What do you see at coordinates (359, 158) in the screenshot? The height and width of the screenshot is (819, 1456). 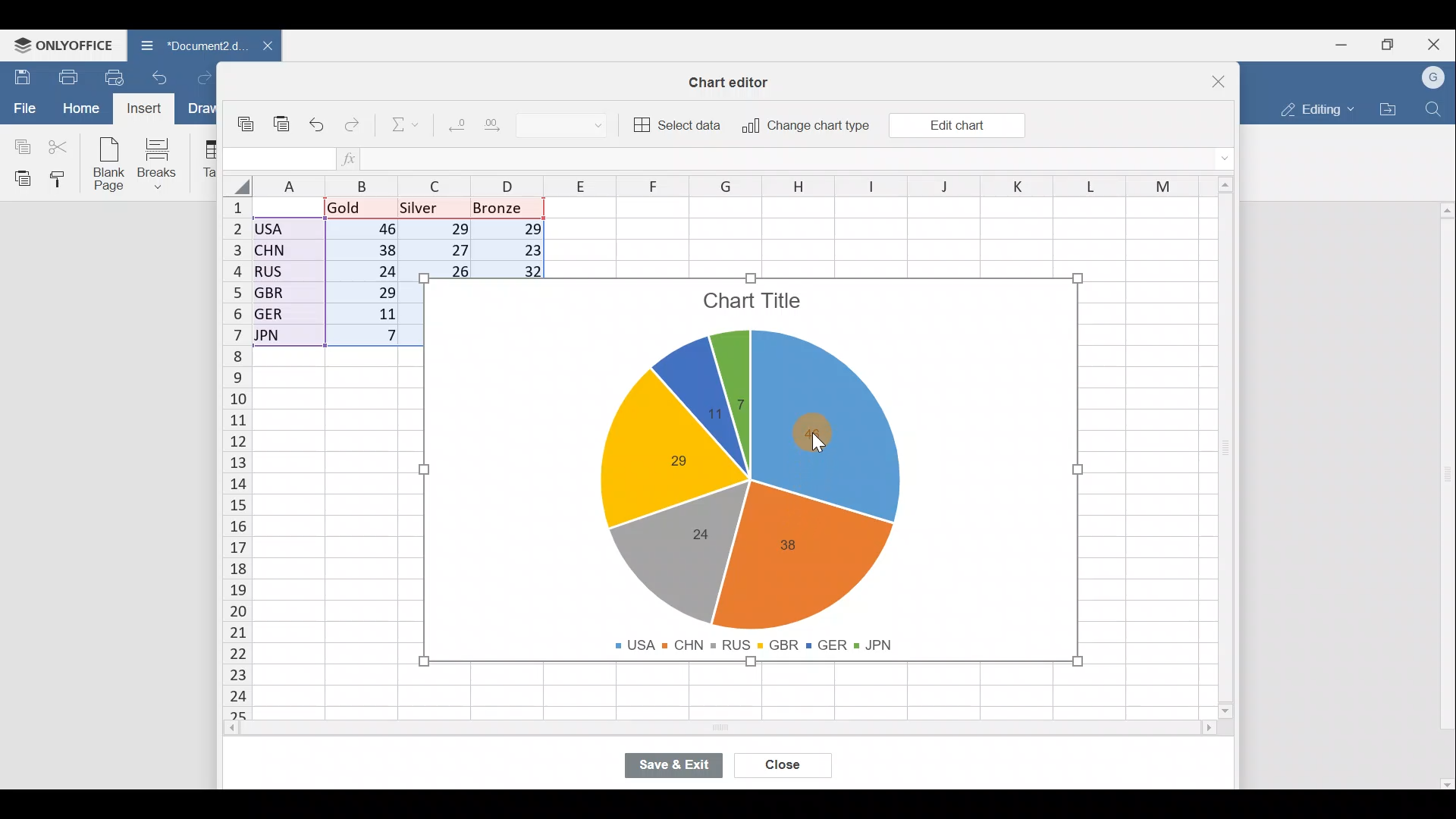 I see `Insert function` at bounding box center [359, 158].